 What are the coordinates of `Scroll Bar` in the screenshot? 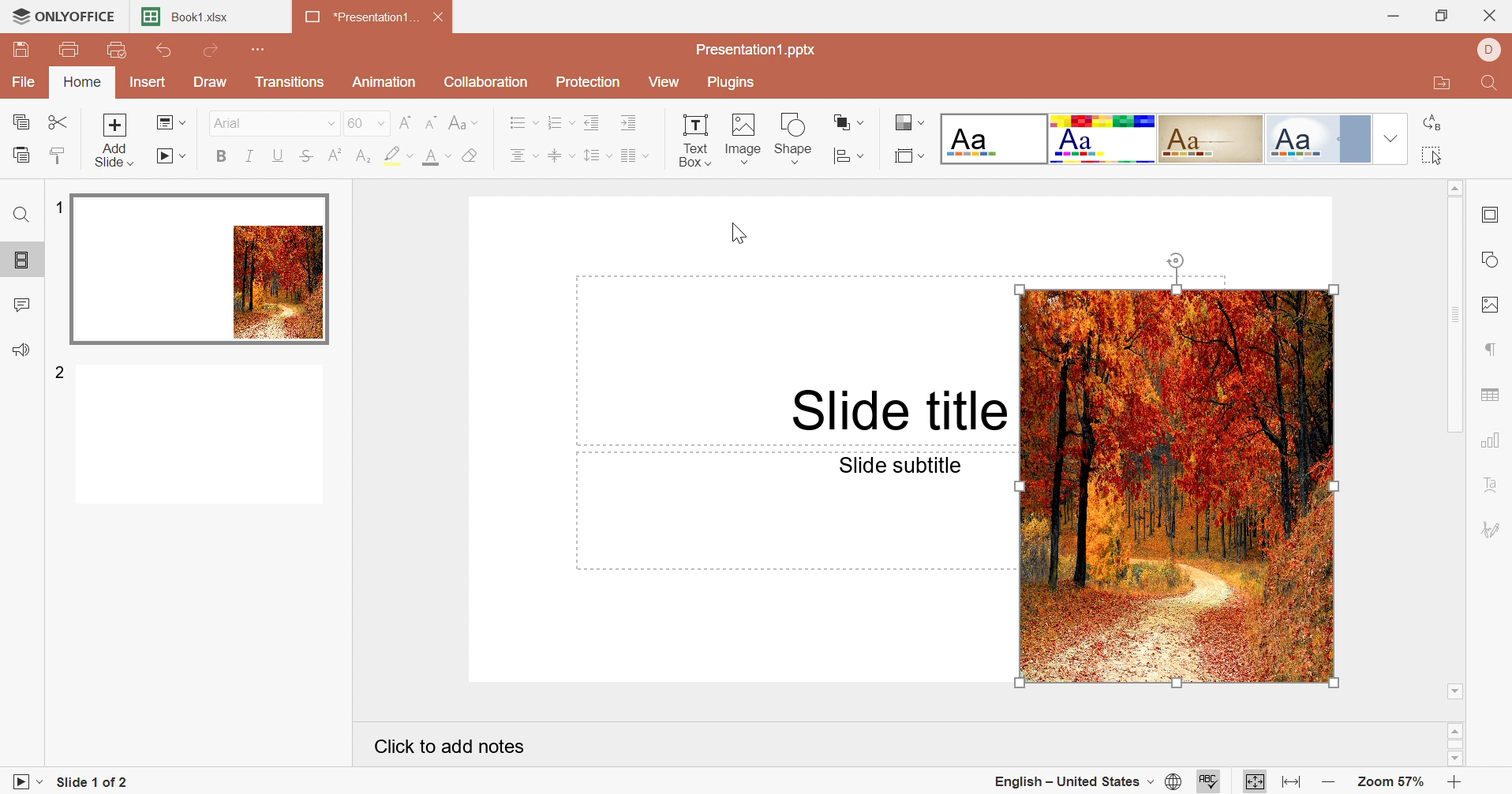 It's located at (1455, 440).